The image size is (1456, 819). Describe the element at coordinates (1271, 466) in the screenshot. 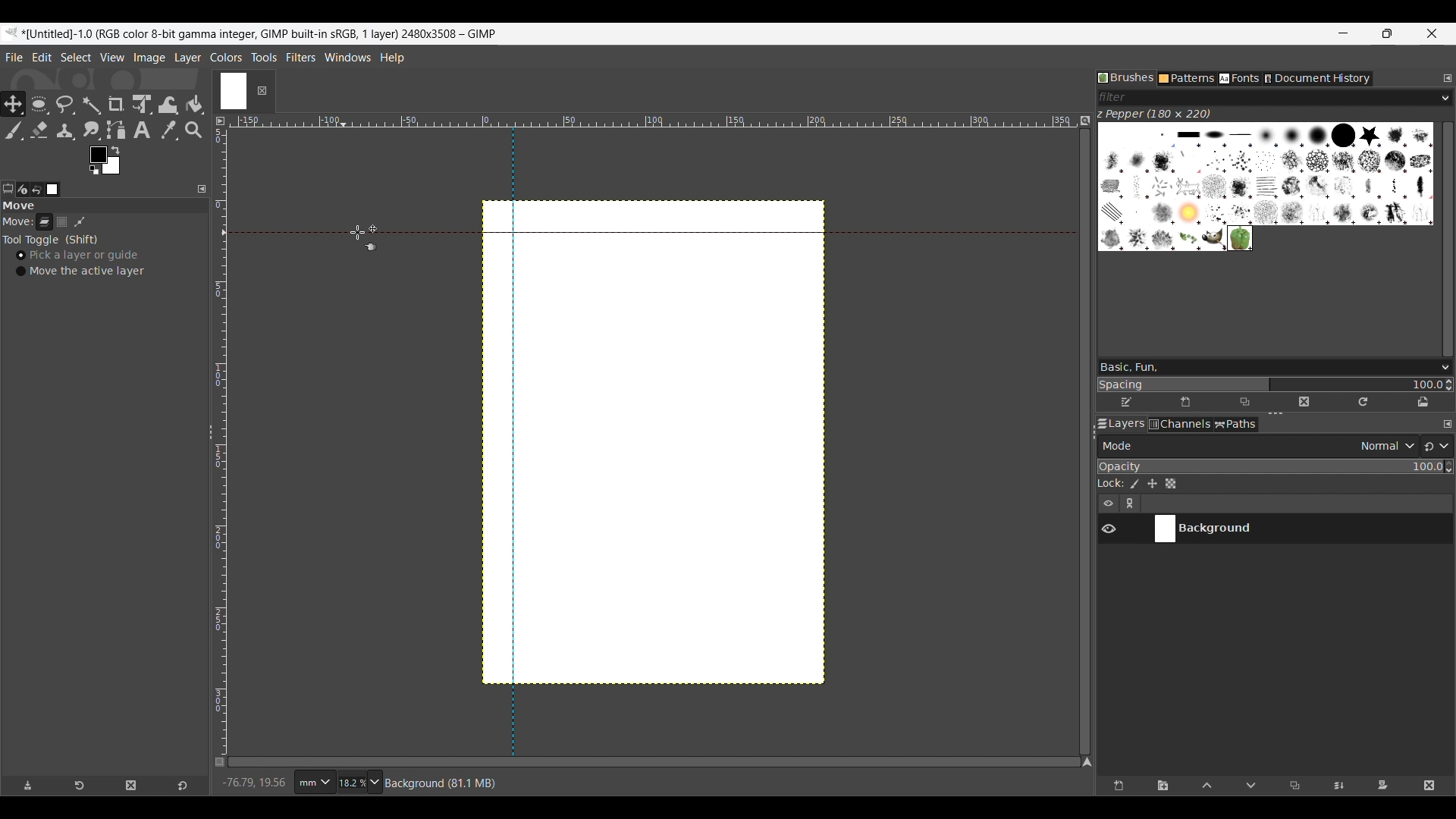

I see `Scale to change opacity` at that location.